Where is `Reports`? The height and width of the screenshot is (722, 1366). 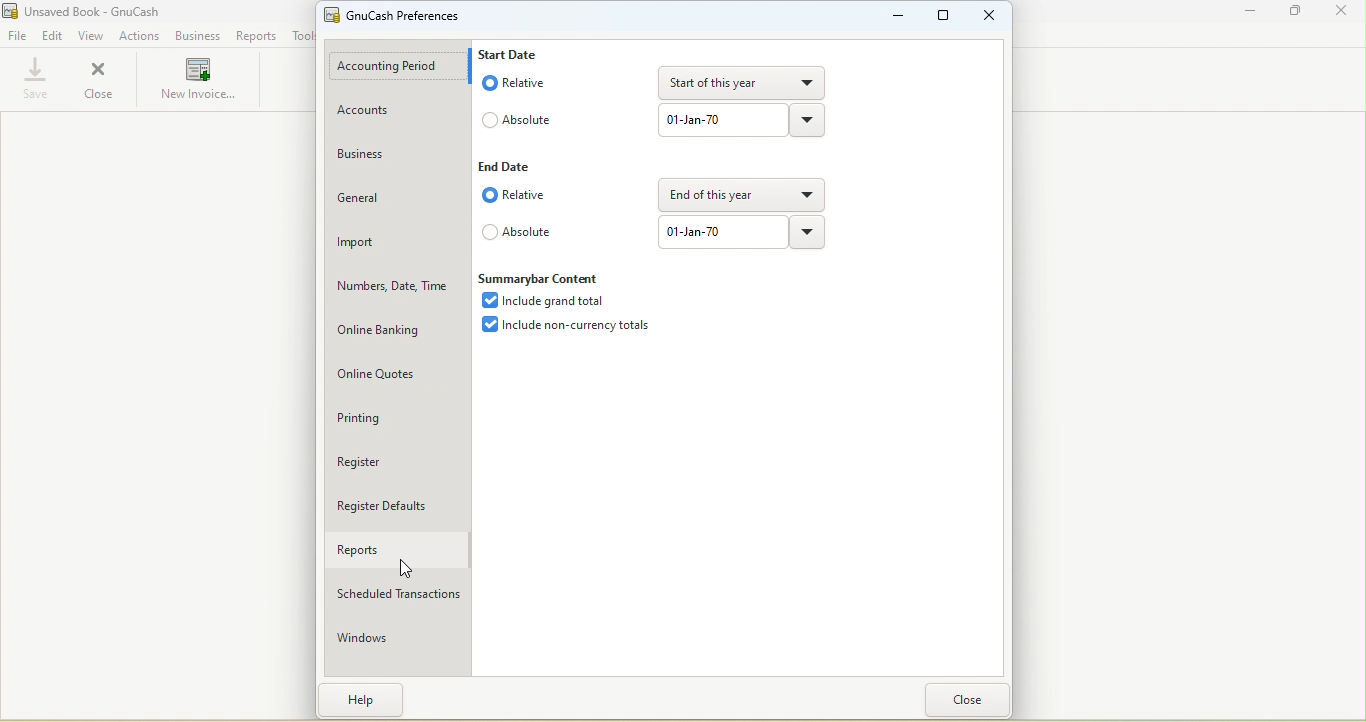
Reports is located at coordinates (255, 36).